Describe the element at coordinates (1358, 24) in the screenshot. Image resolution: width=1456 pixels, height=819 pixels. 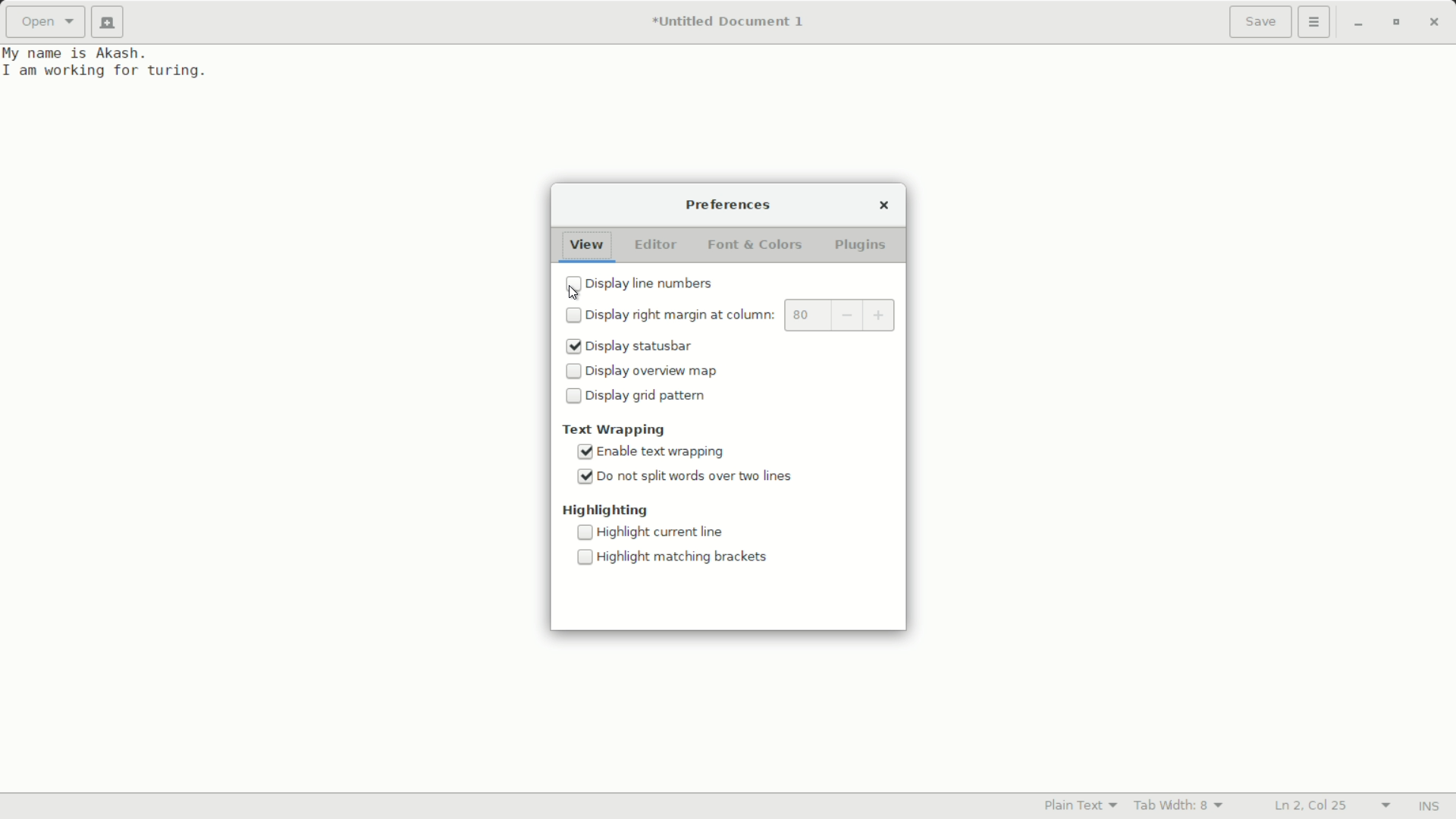
I see `minimize` at that location.